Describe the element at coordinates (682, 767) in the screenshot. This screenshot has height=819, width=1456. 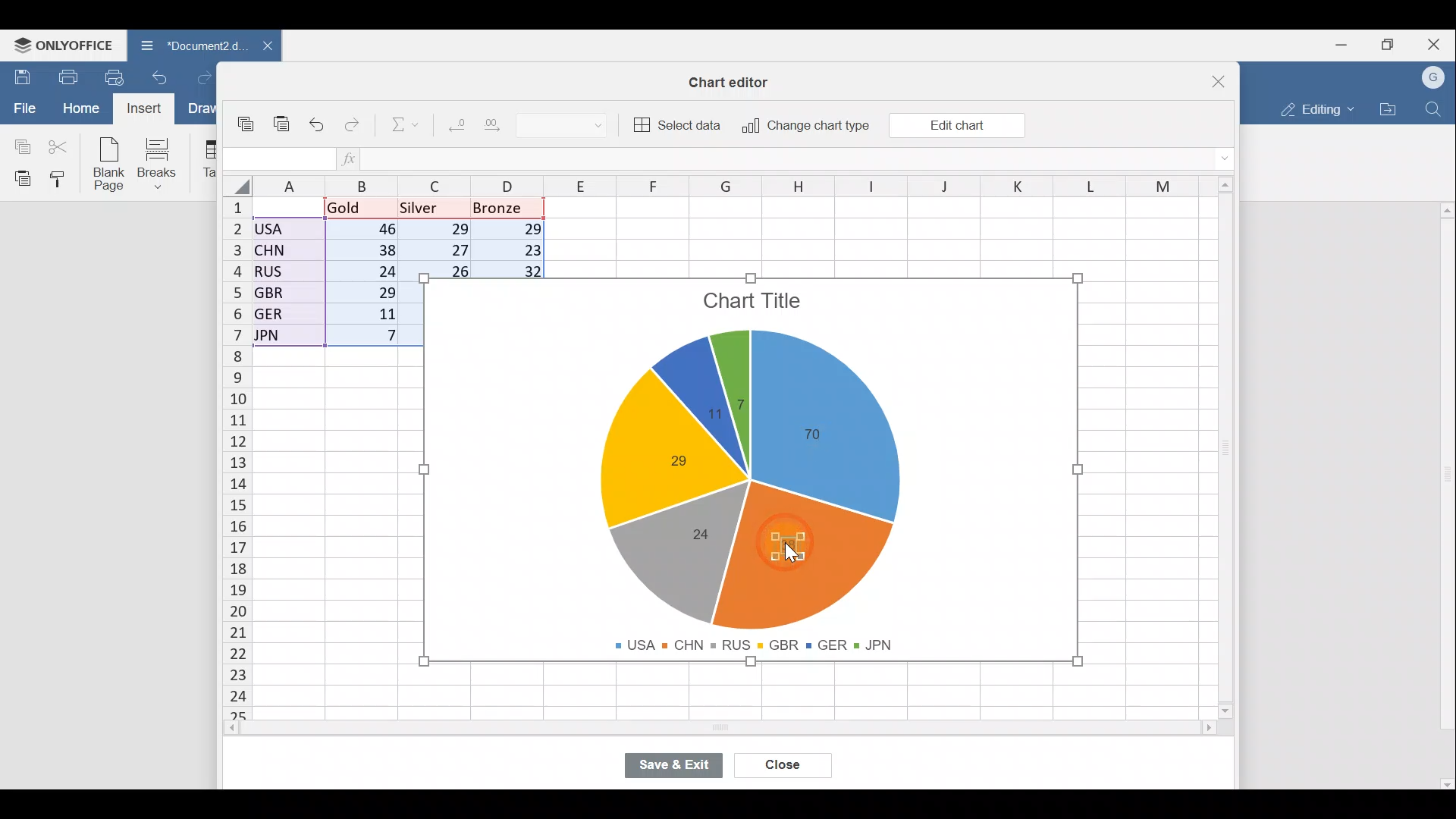
I see `Save & exit` at that location.